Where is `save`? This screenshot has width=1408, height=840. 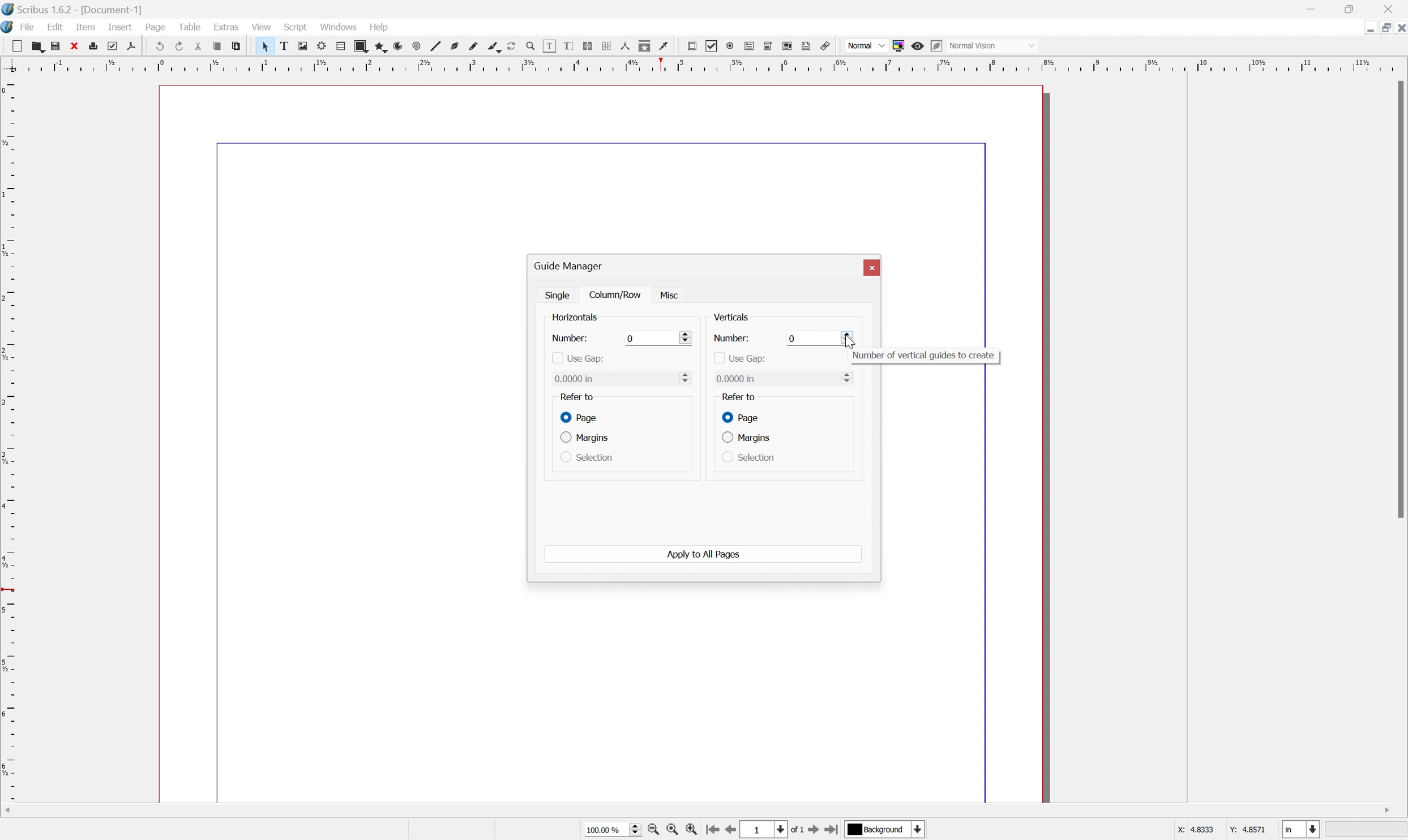 save is located at coordinates (58, 46).